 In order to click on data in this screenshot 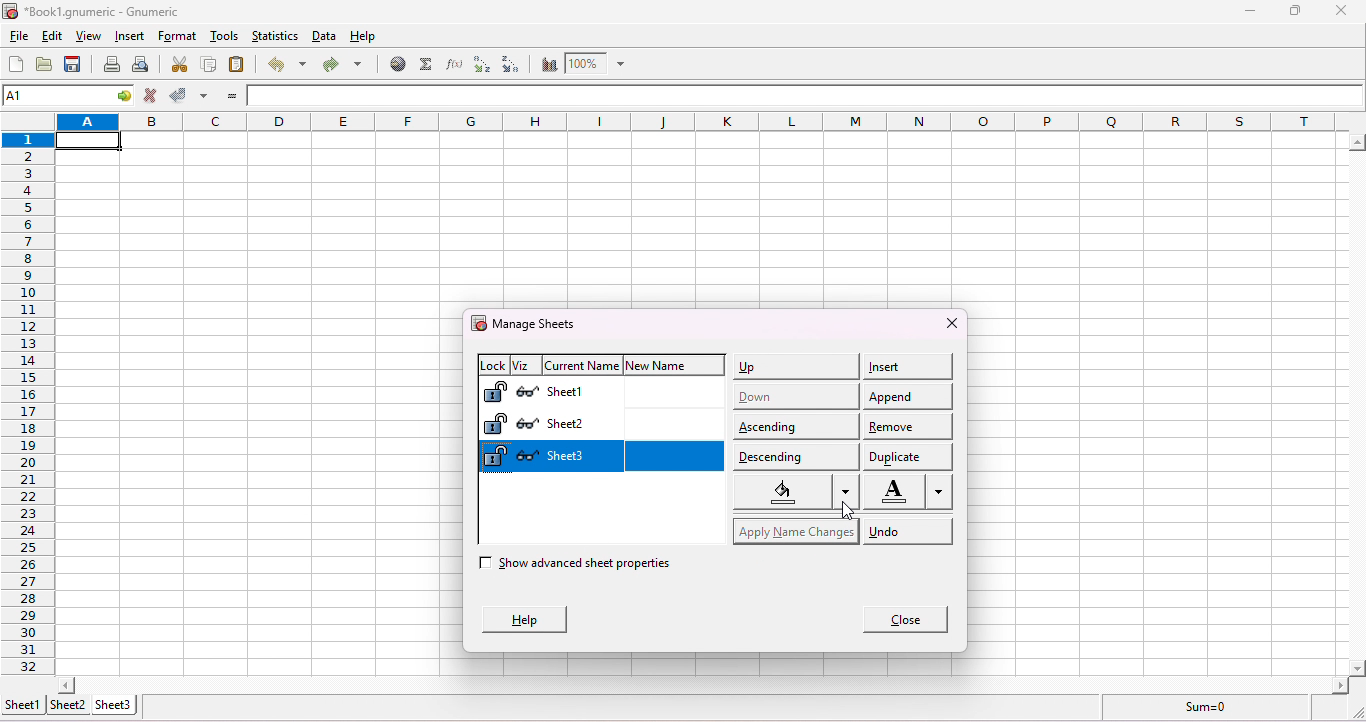, I will do `click(326, 32)`.